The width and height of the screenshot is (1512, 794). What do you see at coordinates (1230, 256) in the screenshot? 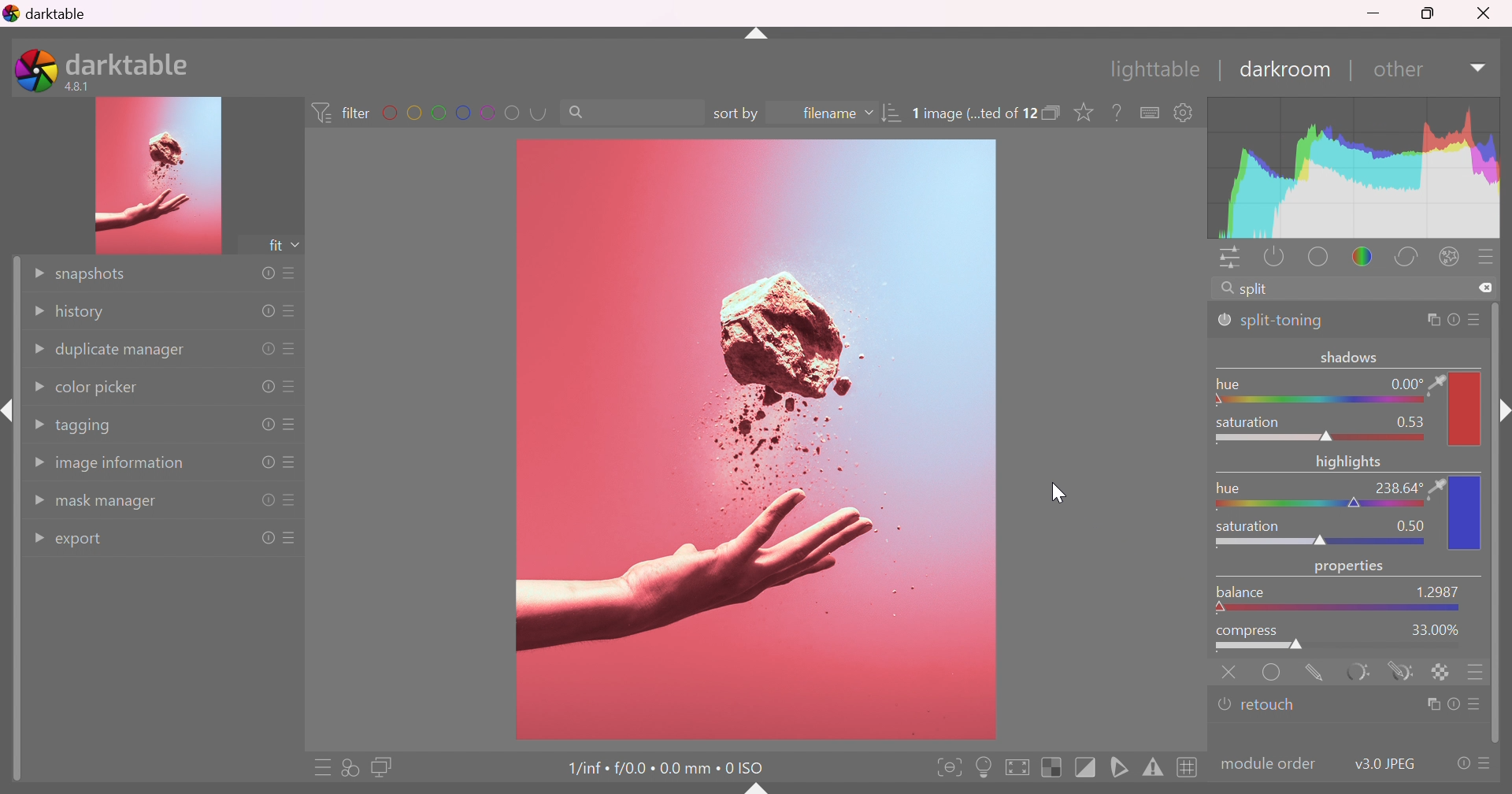
I see `quick access panel` at bounding box center [1230, 256].